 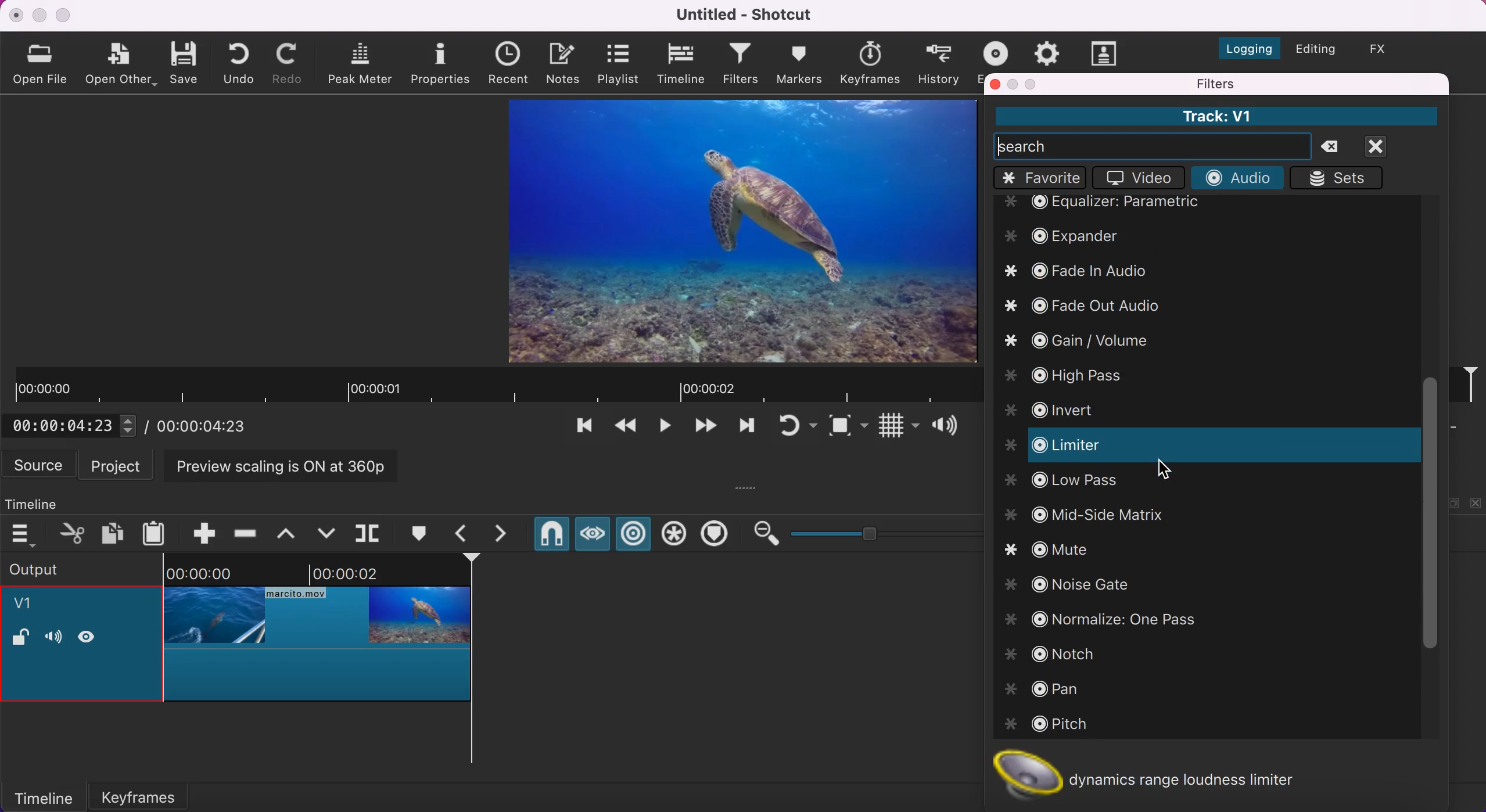 What do you see at coordinates (318, 635) in the screenshot?
I see `cropped clip` at bounding box center [318, 635].